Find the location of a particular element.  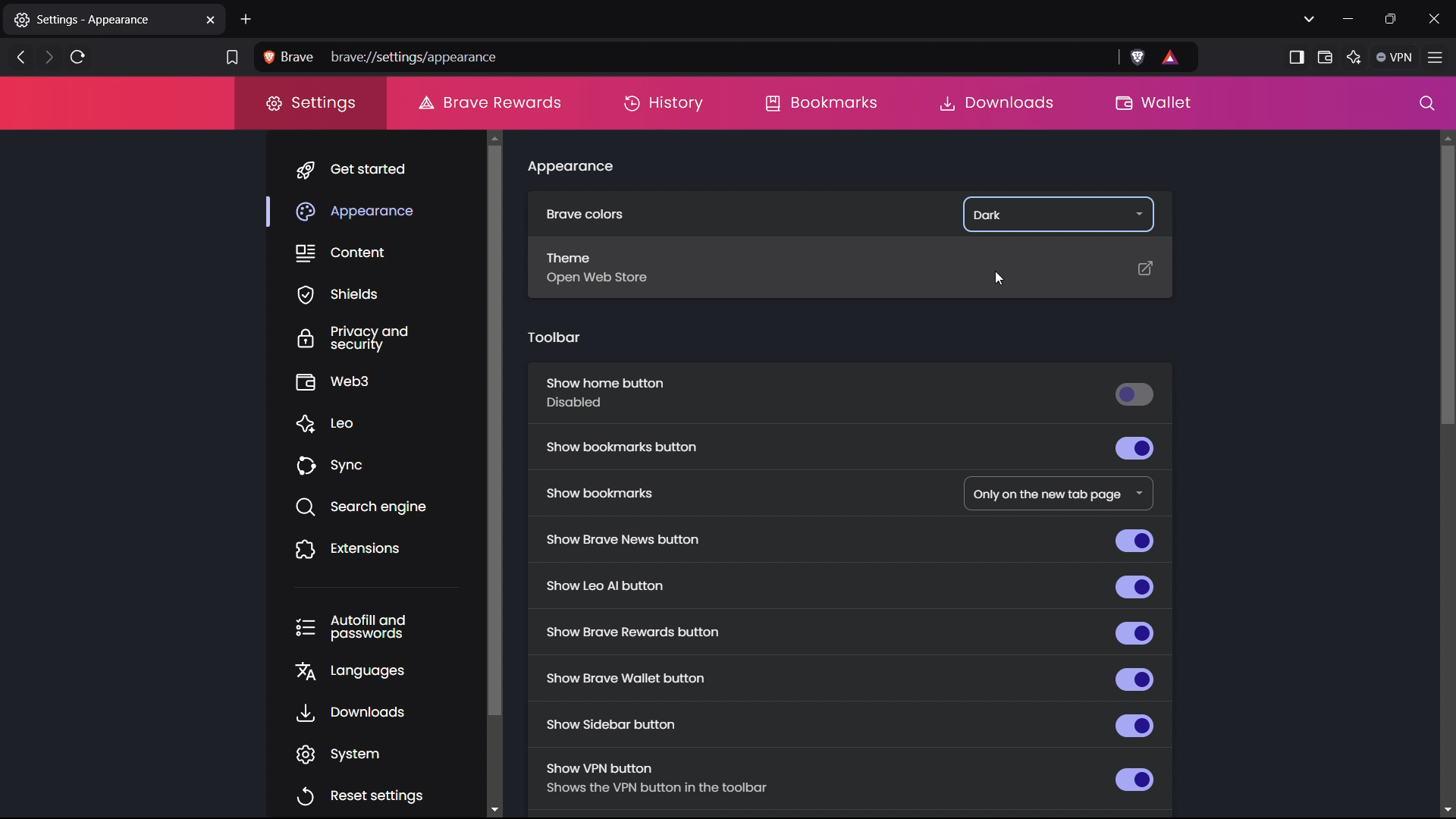

scroll up is located at coordinates (502, 137).